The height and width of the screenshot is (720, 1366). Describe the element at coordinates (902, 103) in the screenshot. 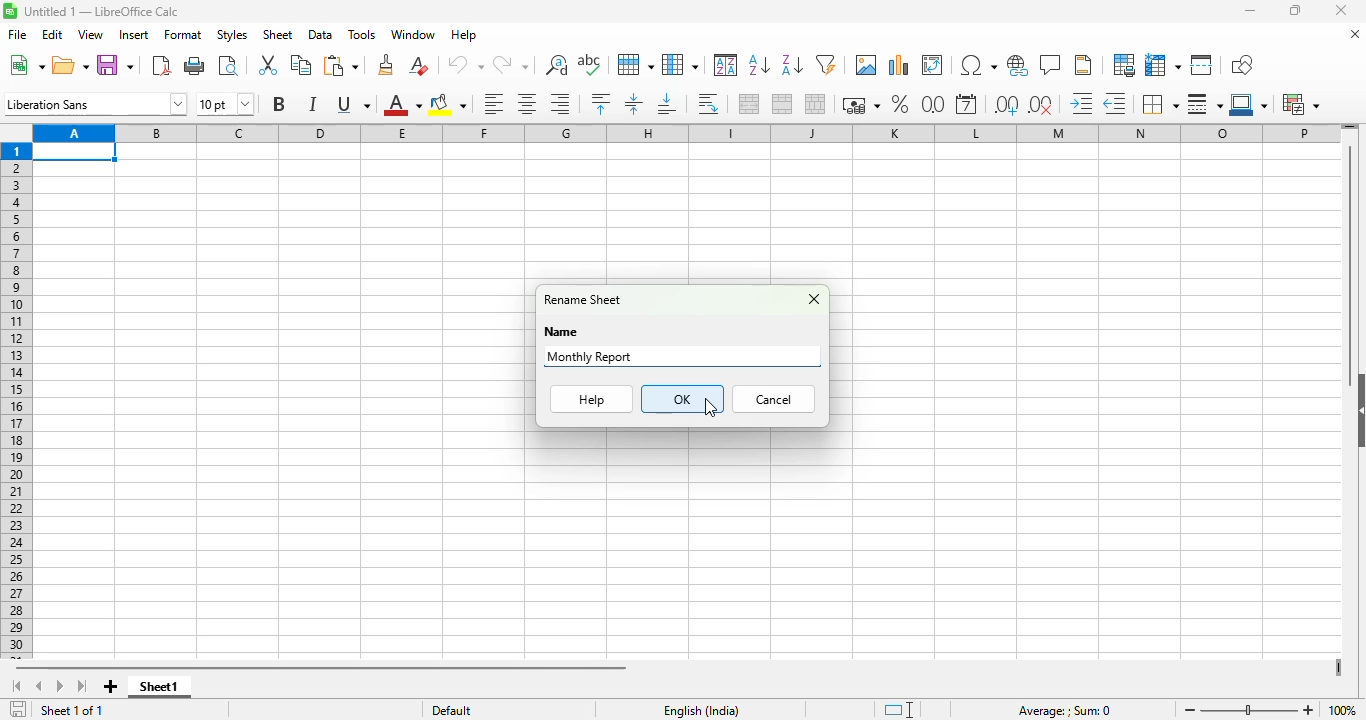

I see `format as percent` at that location.